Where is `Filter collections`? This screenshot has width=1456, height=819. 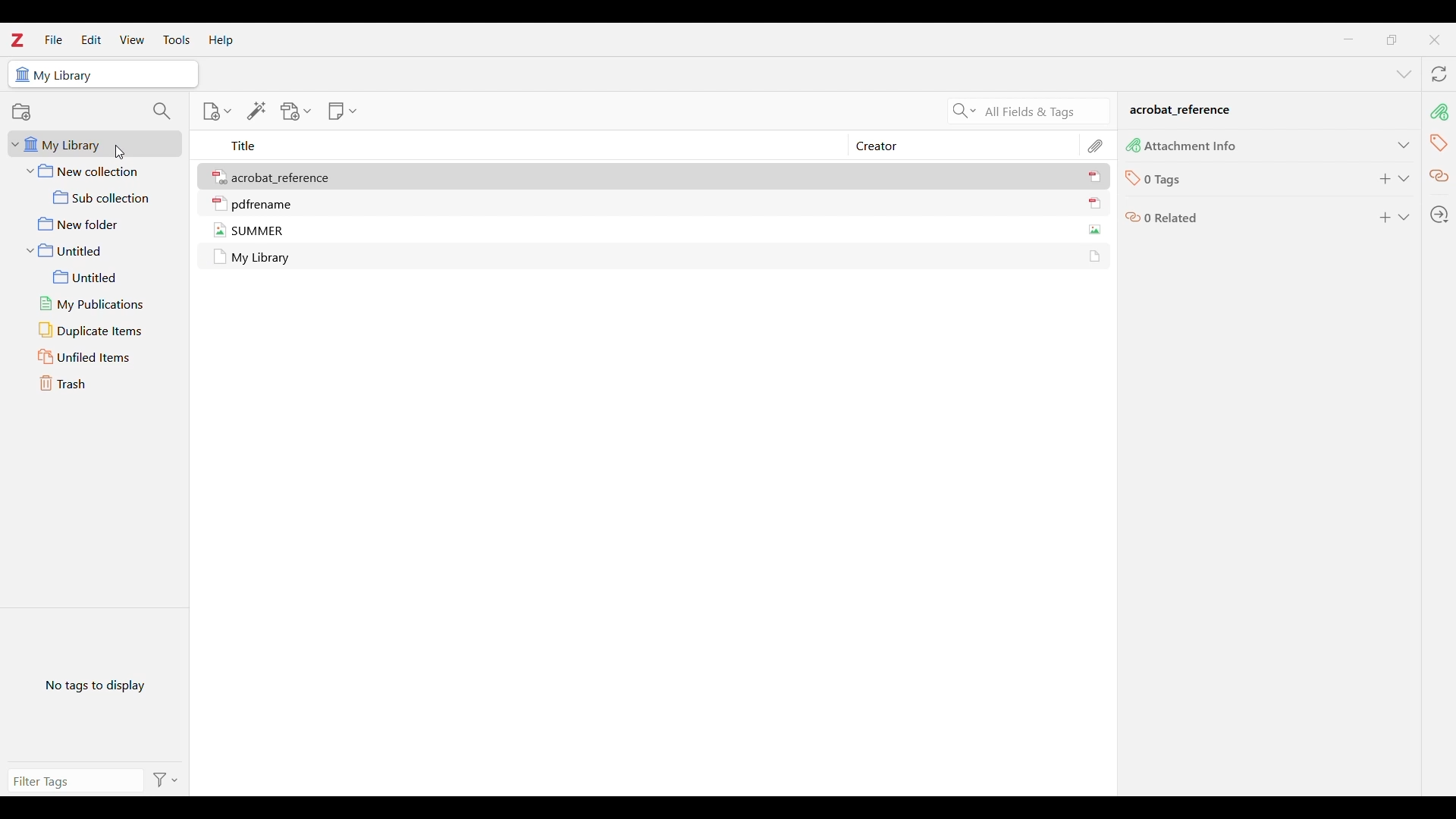 Filter collections is located at coordinates (162, 111).